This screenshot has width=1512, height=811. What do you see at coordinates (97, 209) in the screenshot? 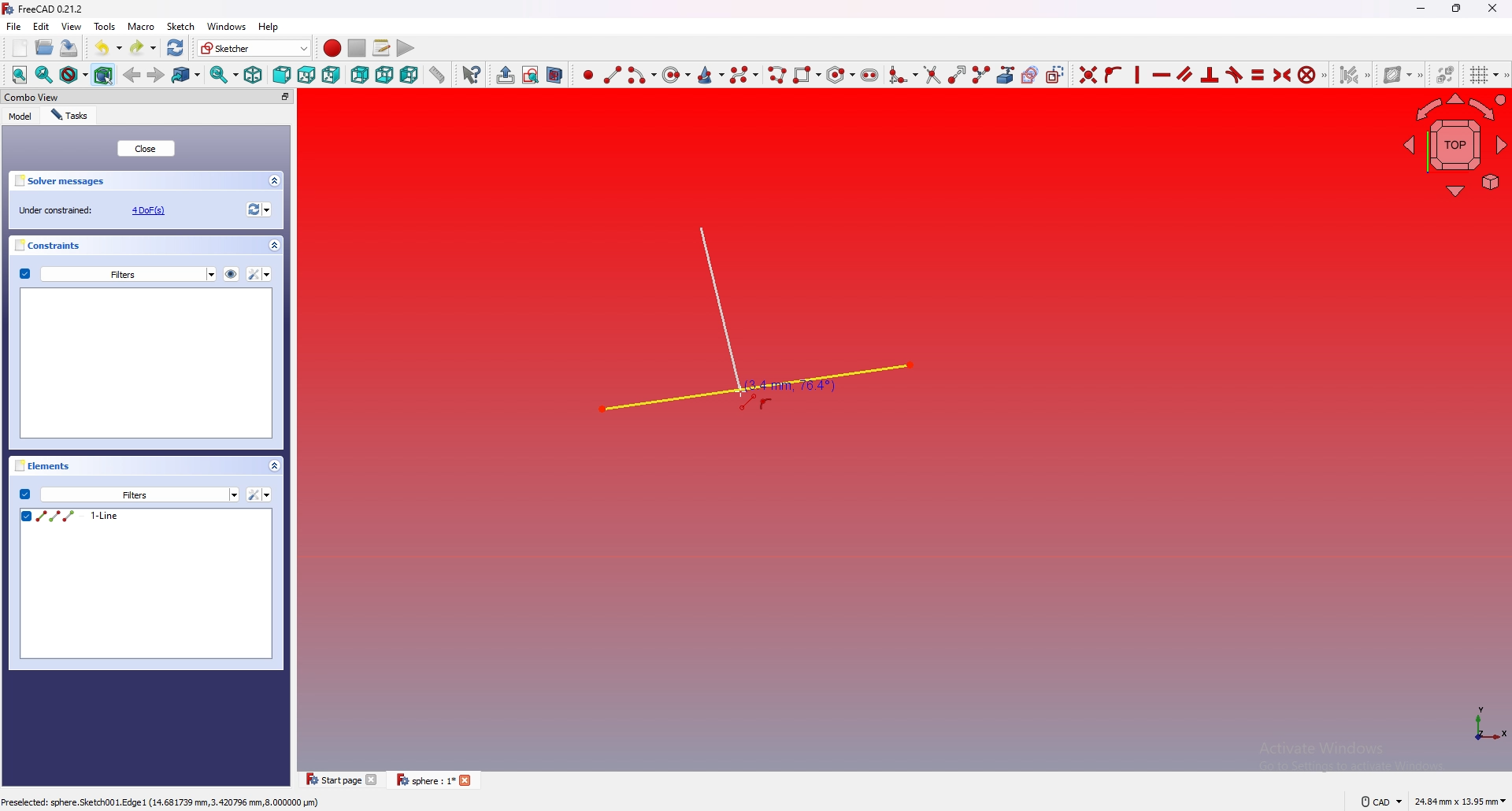
I see `Under constrained` at bounding box center [97, 209].